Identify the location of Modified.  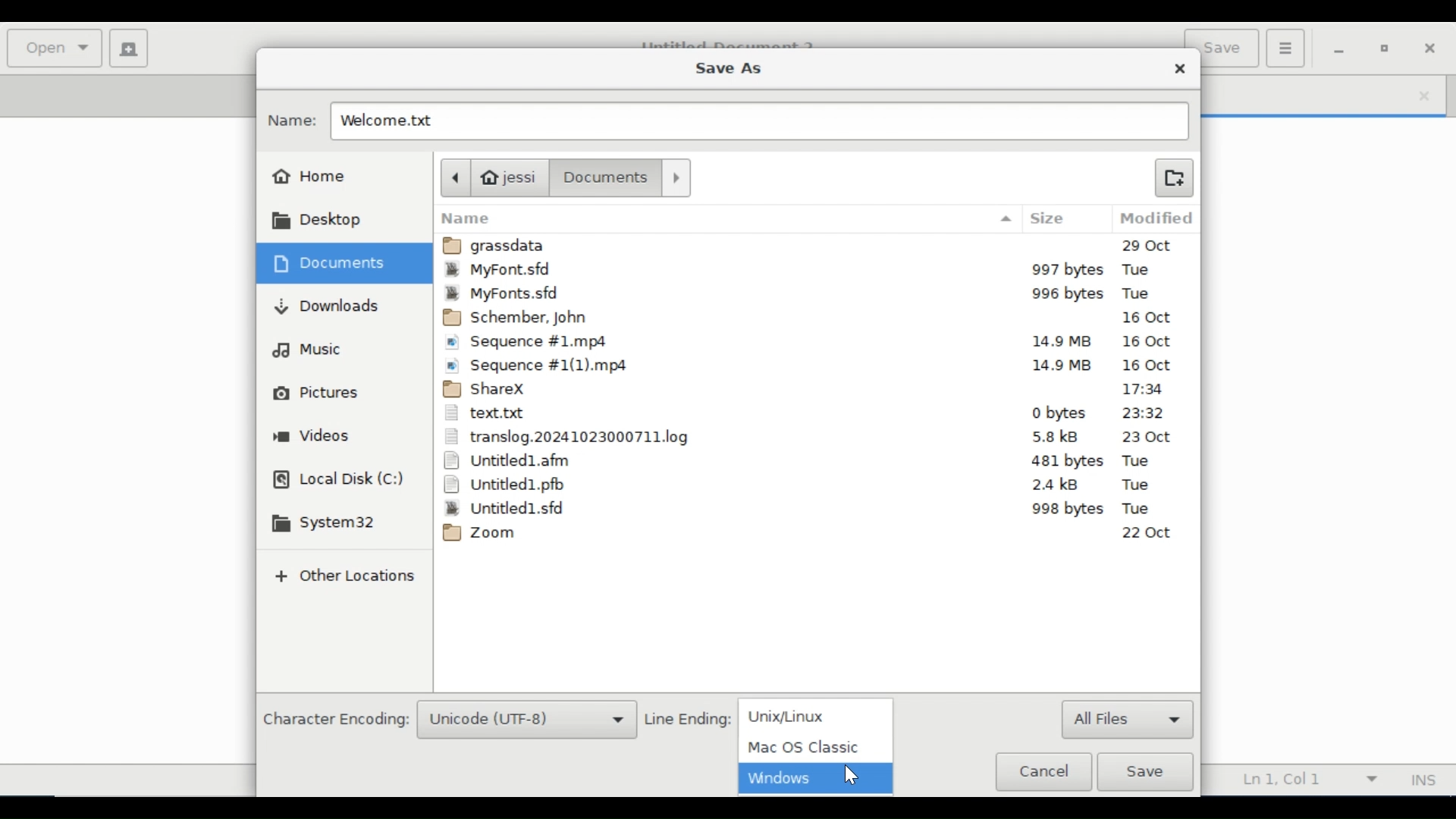
(1153, 218).